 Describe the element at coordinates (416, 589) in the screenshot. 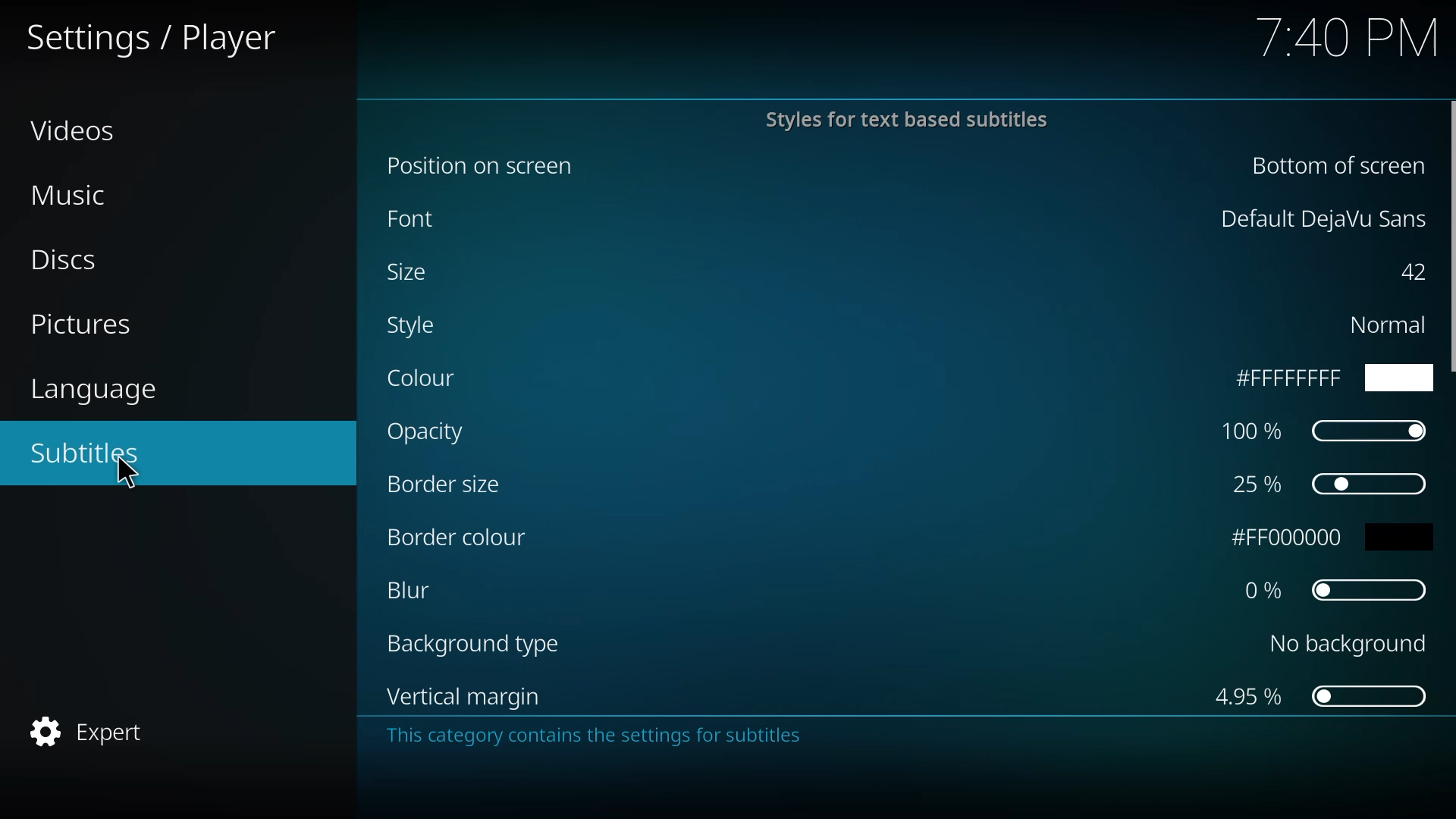

I see `blur` at that location.